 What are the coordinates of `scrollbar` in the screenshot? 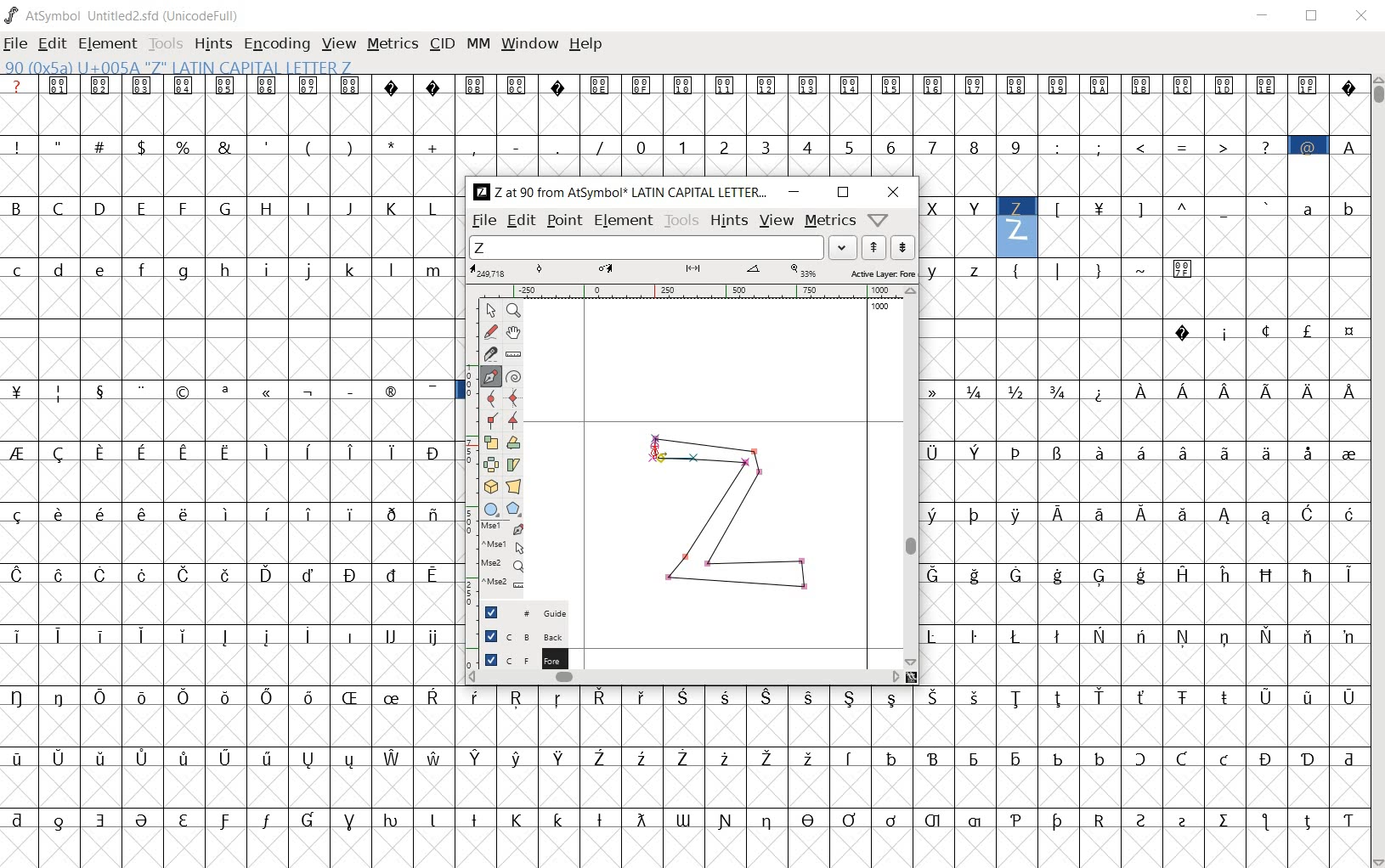 It's located at (909, 476).